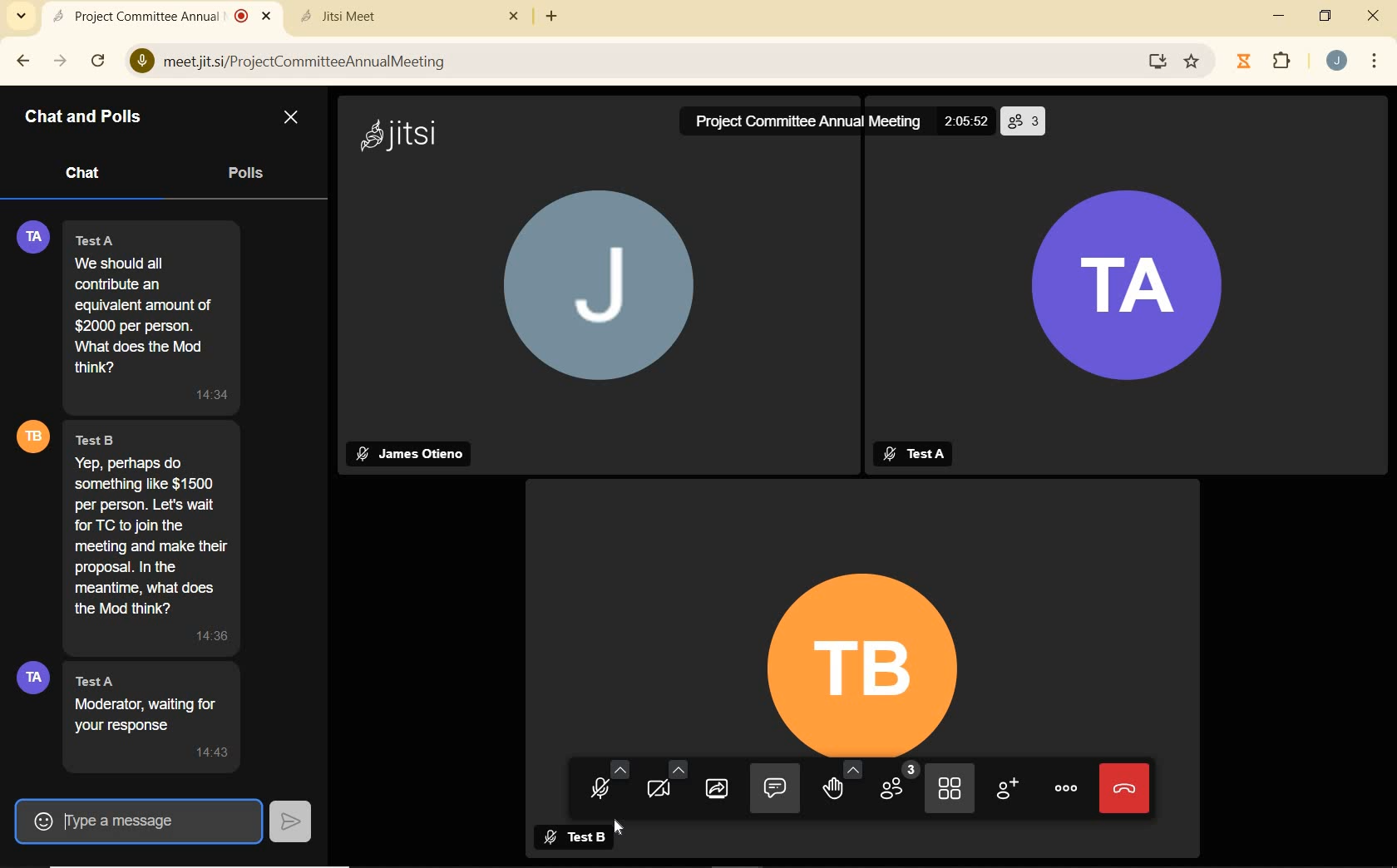  I want to click on forward, so click(60, 61).